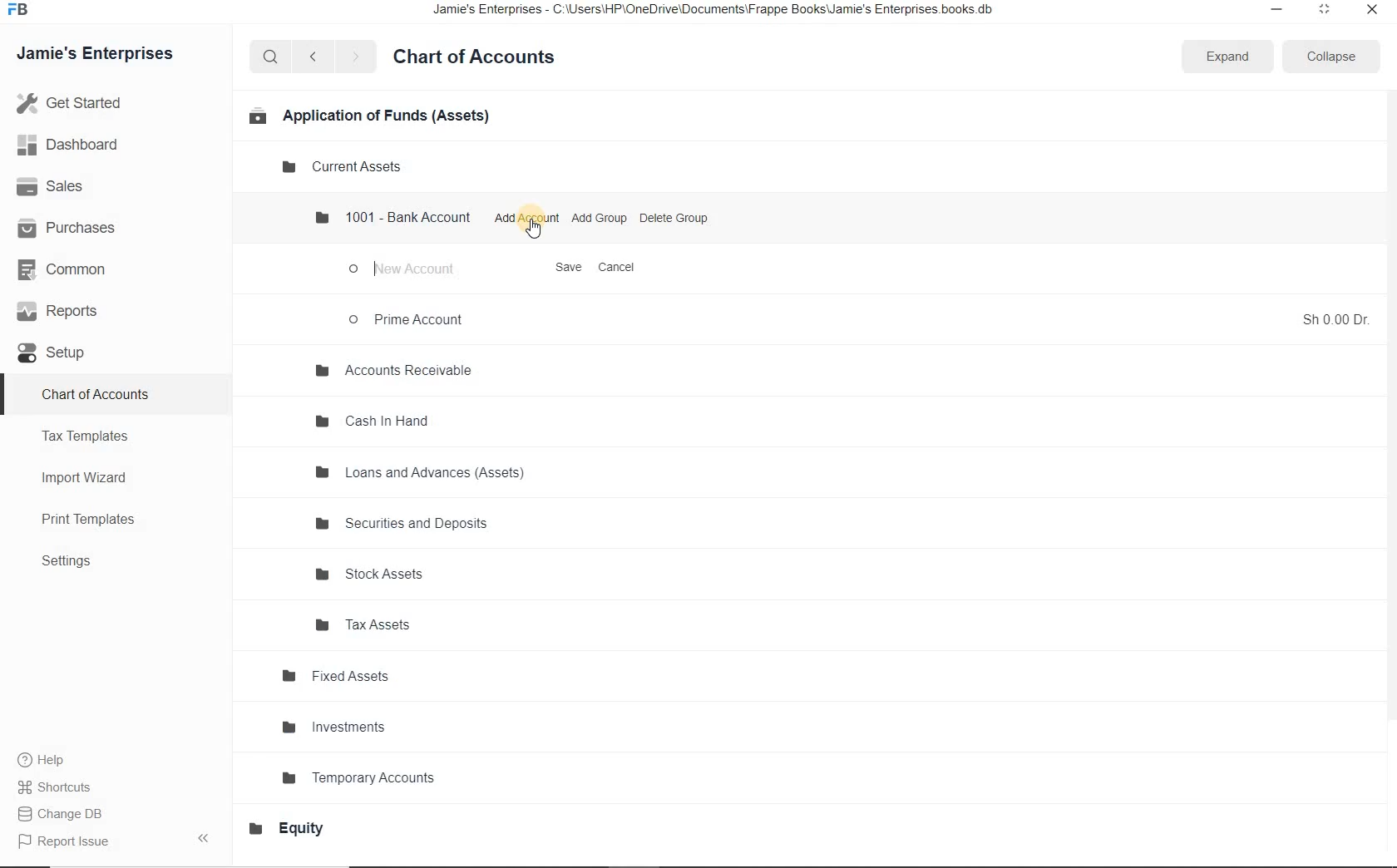 Image resolution: width=1397 pixels, height=868 pixels. What do you see at coordinates (1327, 57) in the screenshot?
I see `collapse` at bounding box center [1327, 57].